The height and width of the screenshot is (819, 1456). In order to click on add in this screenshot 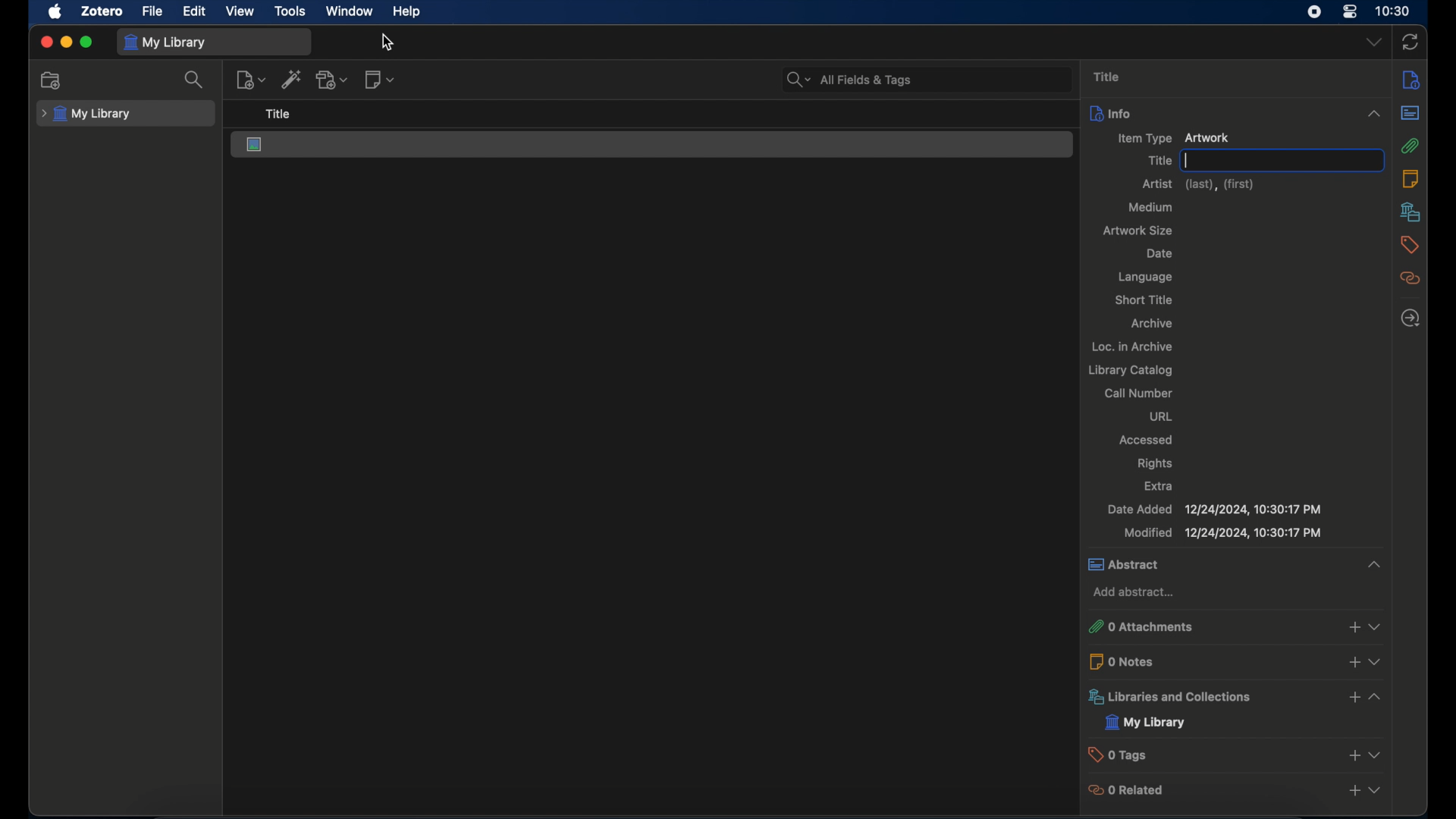, I will do `click(1350, 626)`.